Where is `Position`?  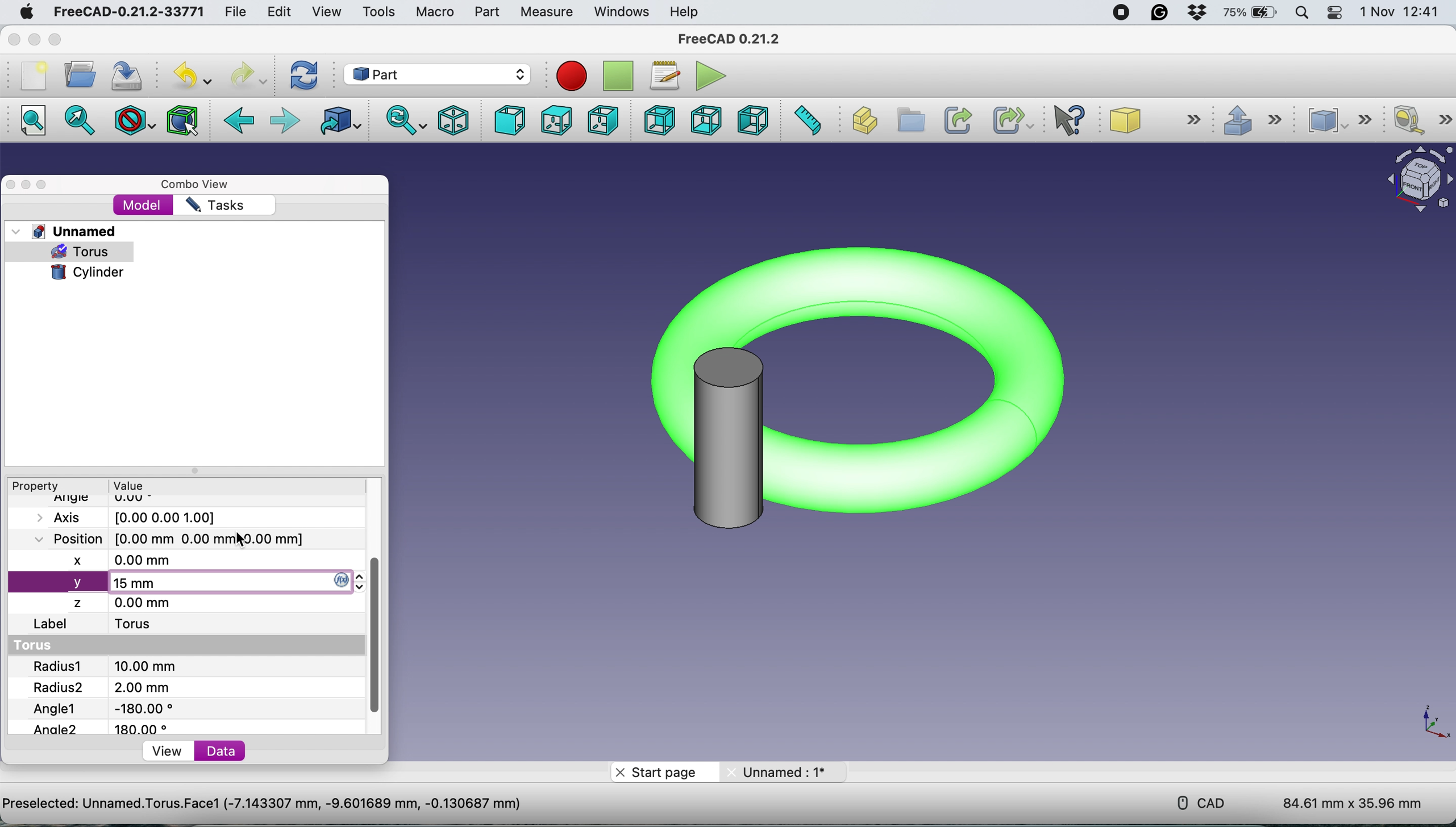
Position is located at coordinates (163, 538).